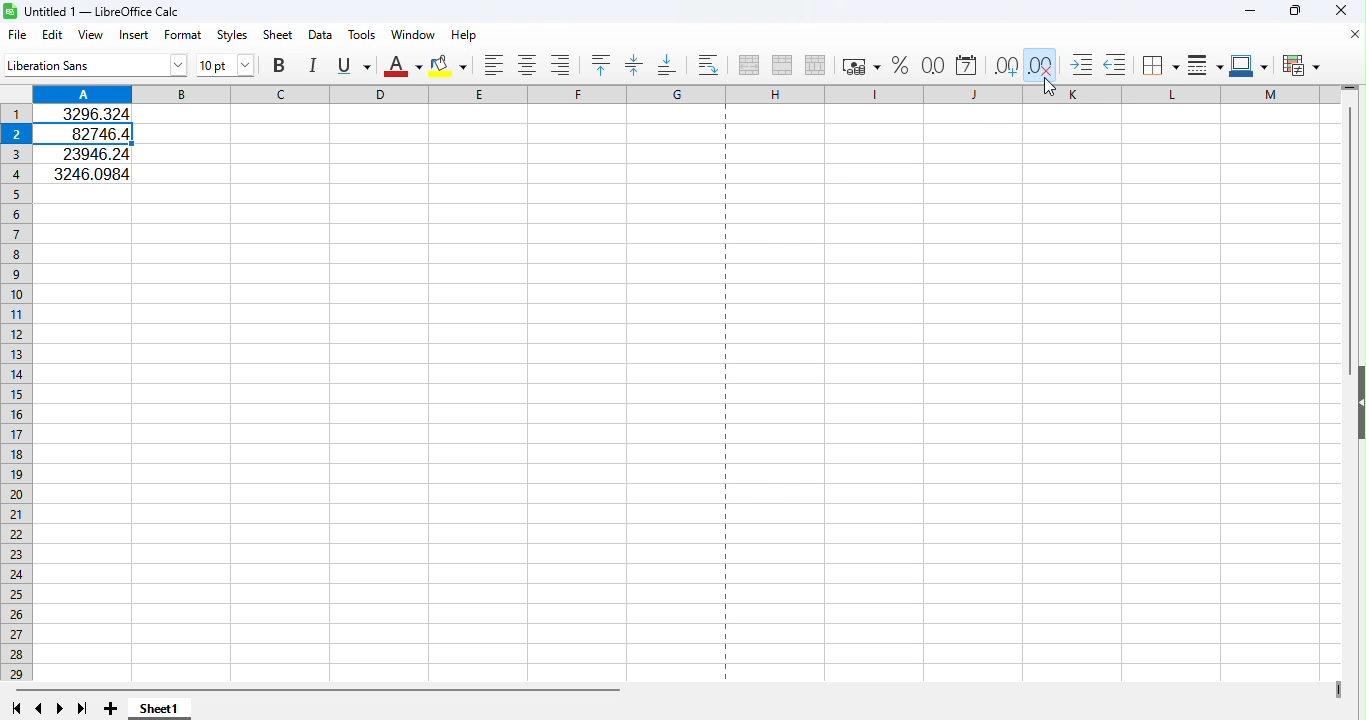 This screenshot has height=720, width=1366. What do you see at coordinates (674, 691) in the screenshot?
I see `horizontal scroll bar` at bounding box center [674, 691].